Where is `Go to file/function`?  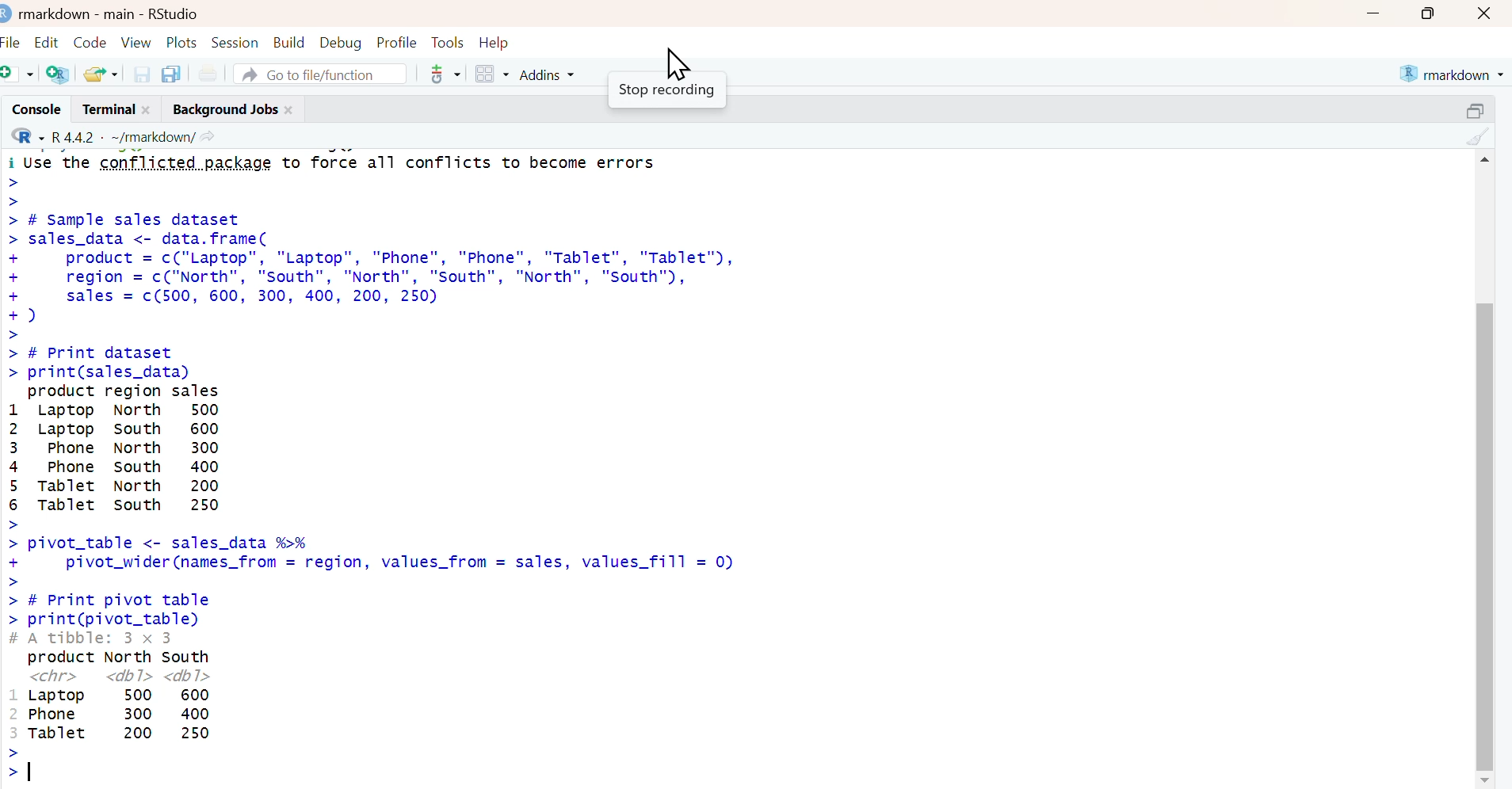 Go to file/function is located at coordinates (322, 73).